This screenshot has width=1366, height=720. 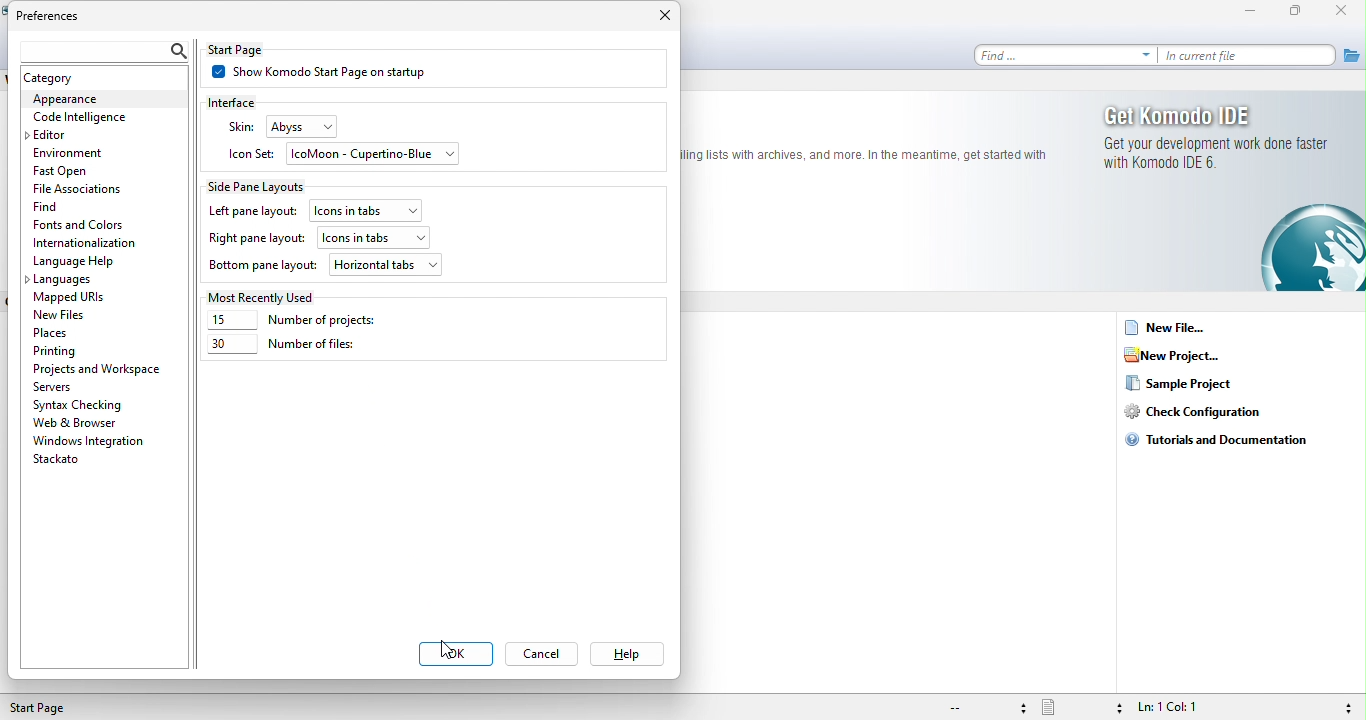 What do you see at coordinates (240, 127) in the screenshot?
I see `skin` at bounding box center [240, 127].